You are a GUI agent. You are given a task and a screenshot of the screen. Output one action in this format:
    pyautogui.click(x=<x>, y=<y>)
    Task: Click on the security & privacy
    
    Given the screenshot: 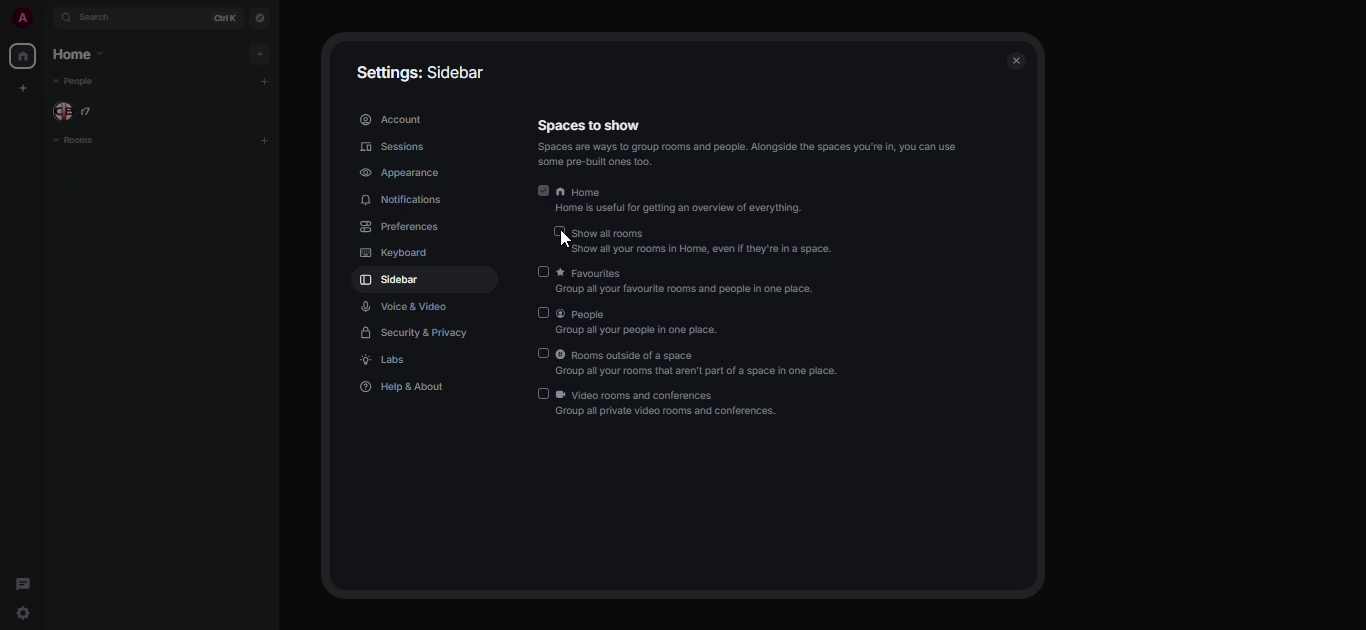 What is the action you would take?
    pyautogui.click(x=416, y=330)
    